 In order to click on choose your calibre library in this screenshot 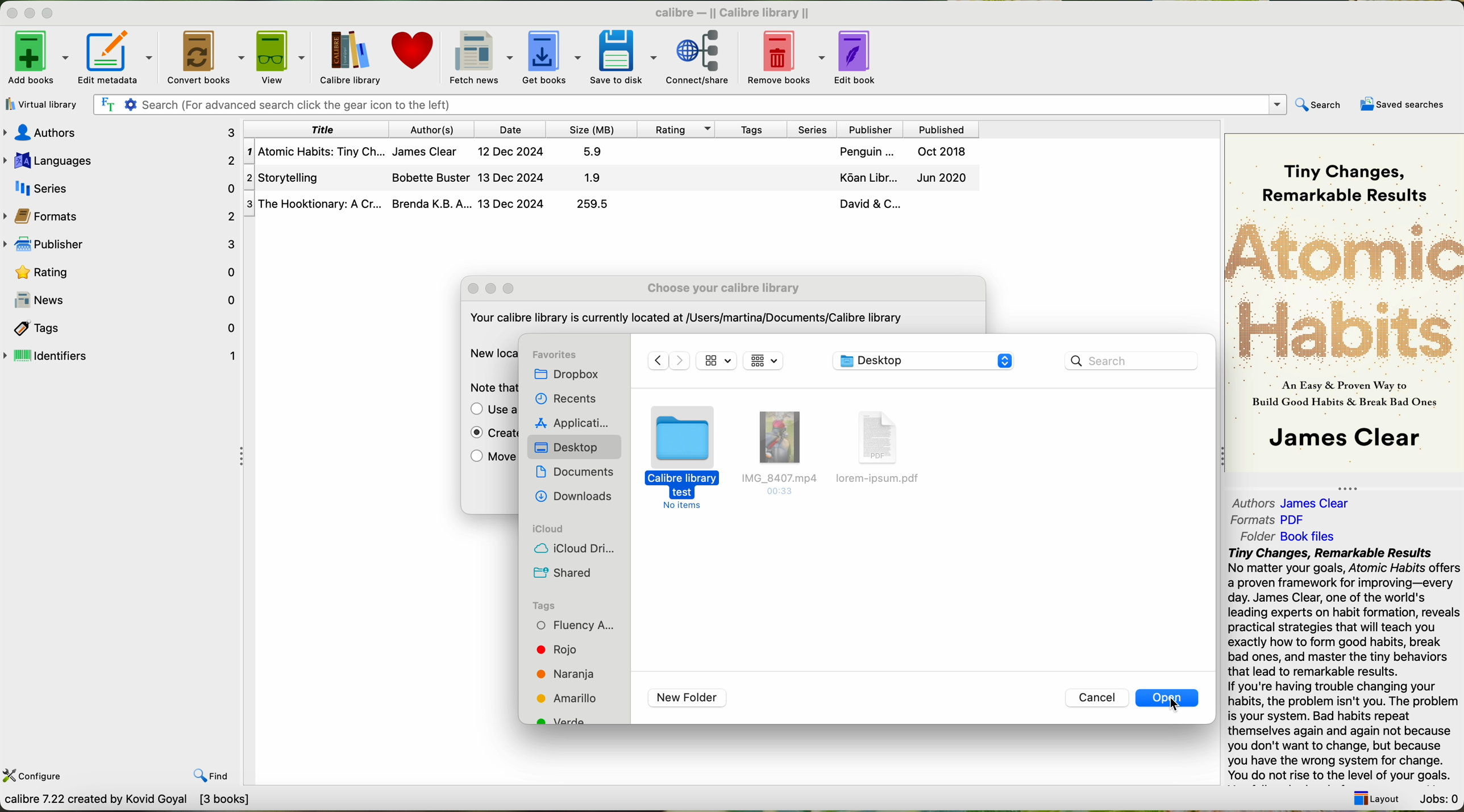, I will do `click(723, 288)`.